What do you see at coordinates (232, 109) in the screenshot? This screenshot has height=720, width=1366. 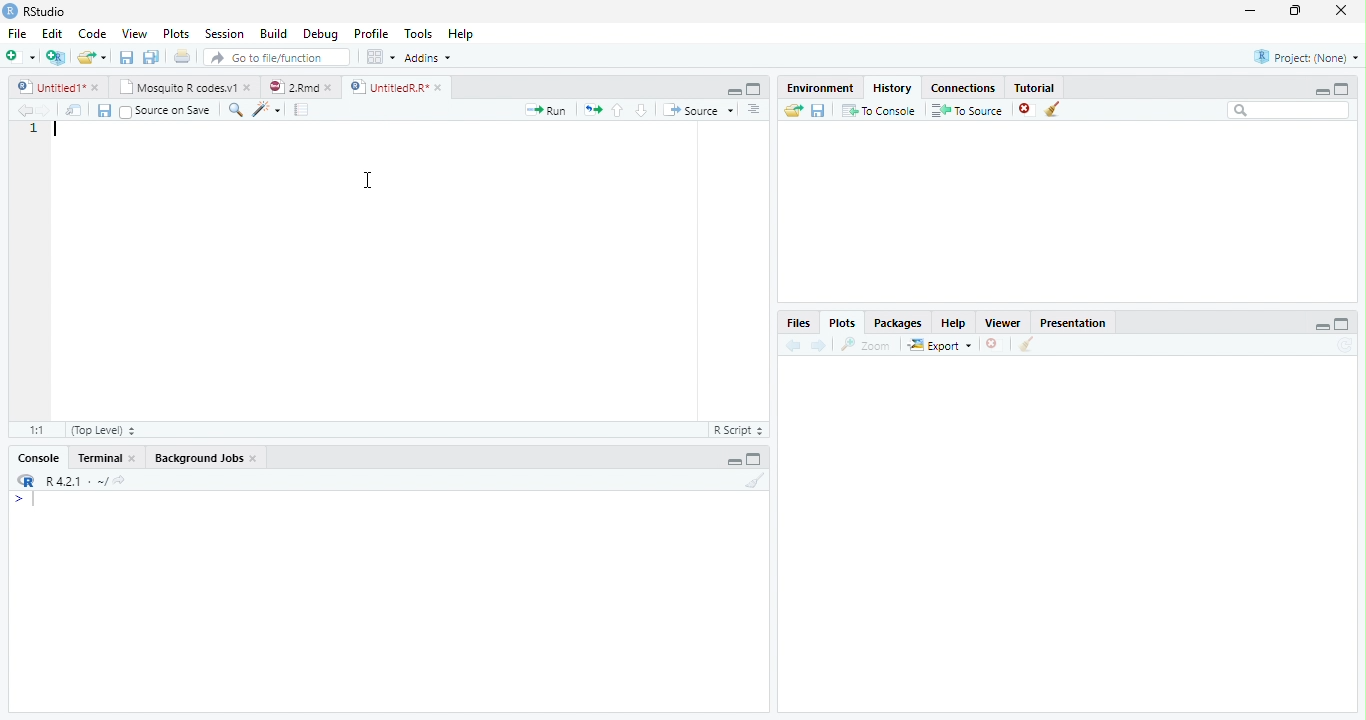 I see `search` at bounding box center [232, 109].